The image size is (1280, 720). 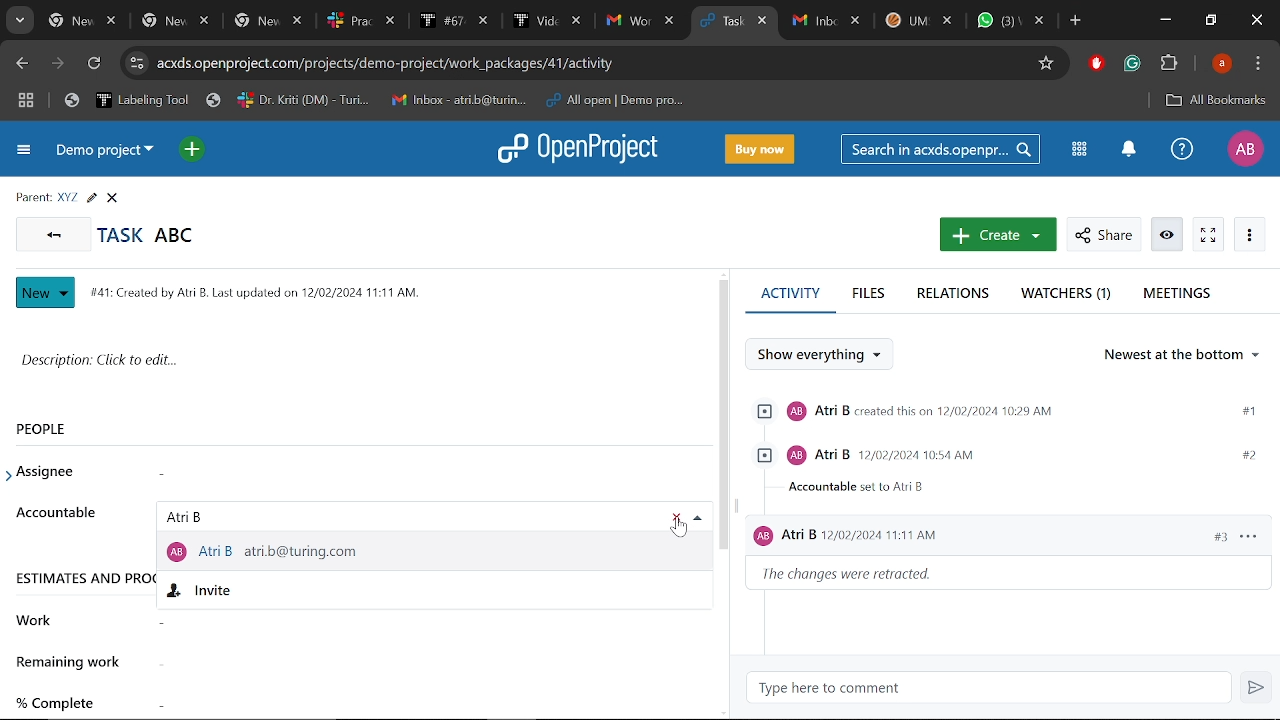 I want to click on Other tabs, so click(x=918, y=23).